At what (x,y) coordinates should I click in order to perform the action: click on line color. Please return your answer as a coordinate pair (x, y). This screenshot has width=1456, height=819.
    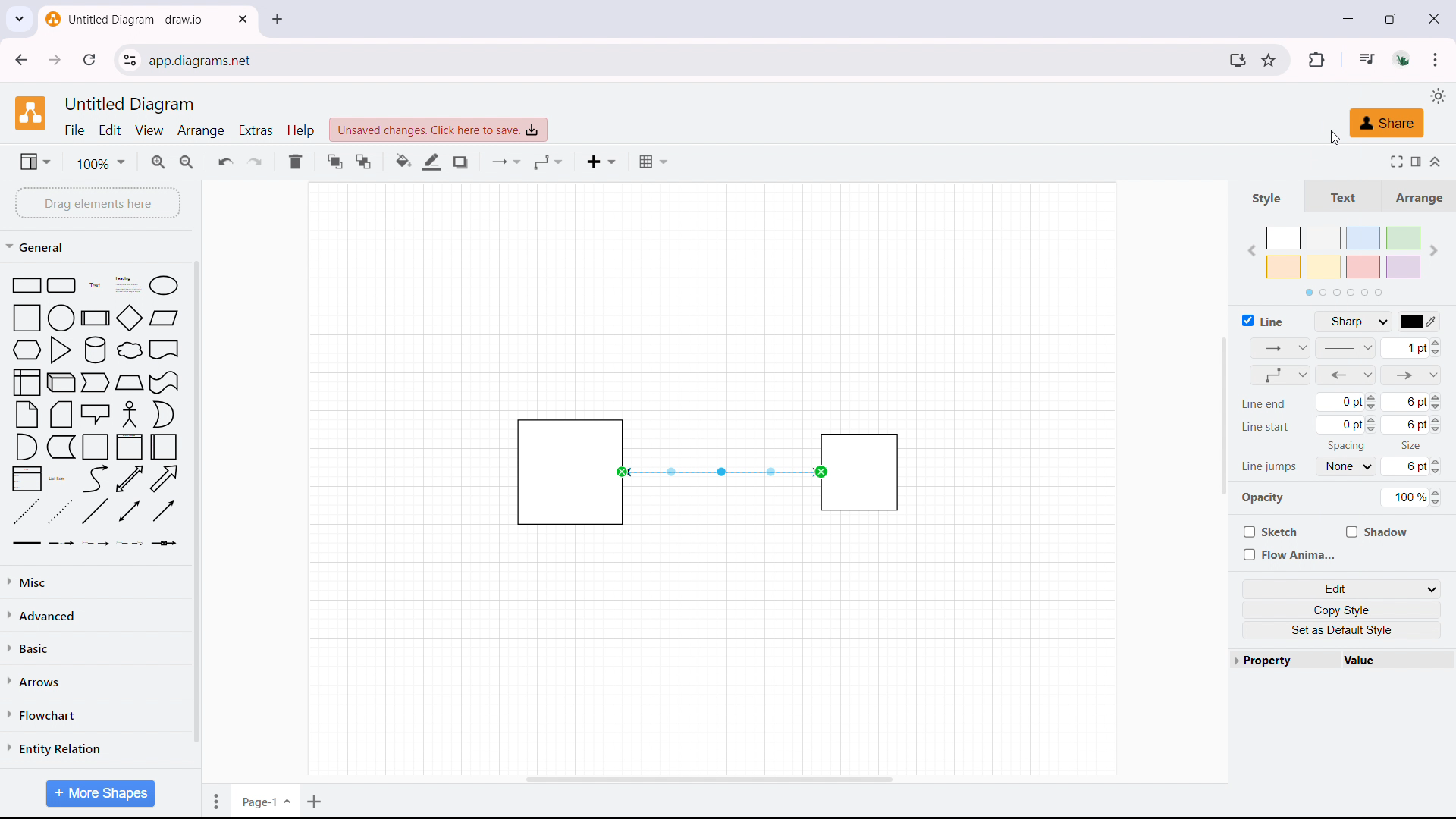
    Looking at the image, I should click on (432, 162).